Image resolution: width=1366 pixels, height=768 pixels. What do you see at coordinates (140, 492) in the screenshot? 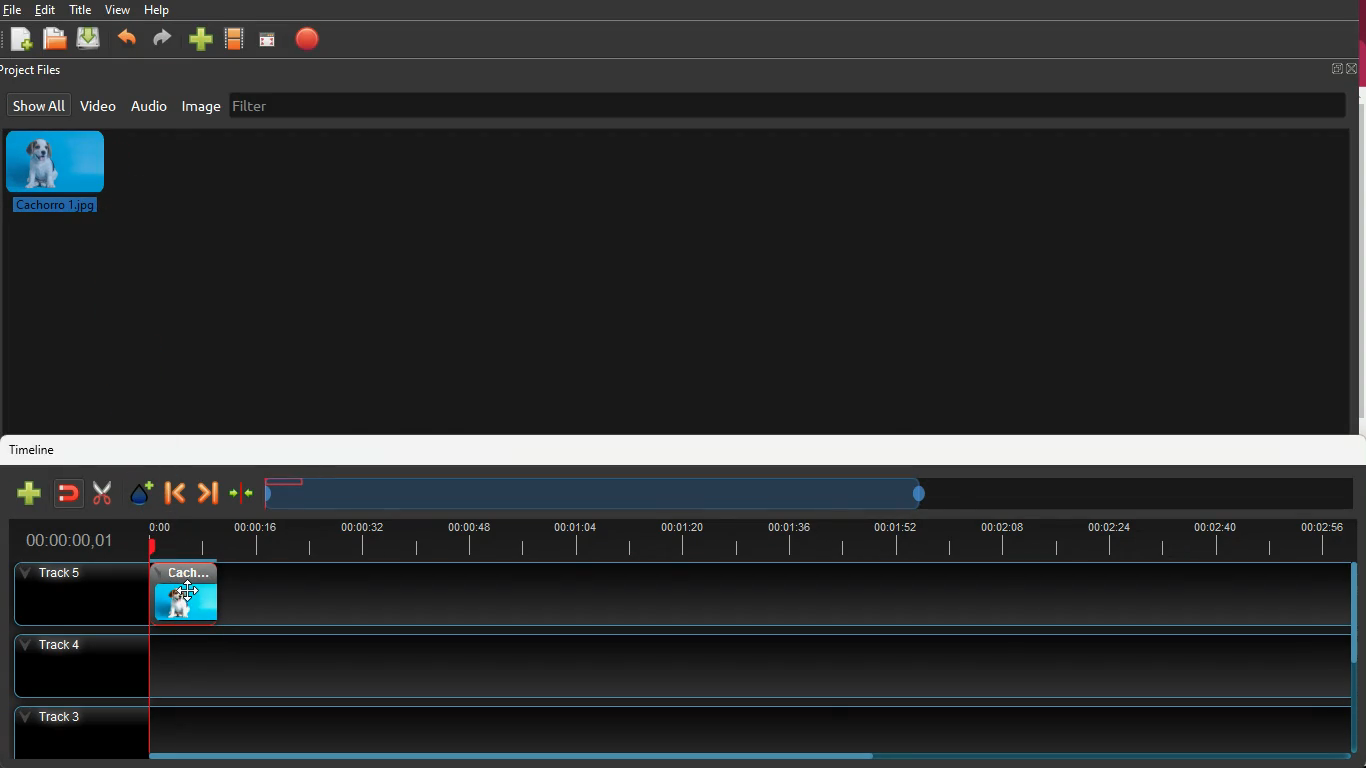
I see `effect` at bounding box center [140, 492].